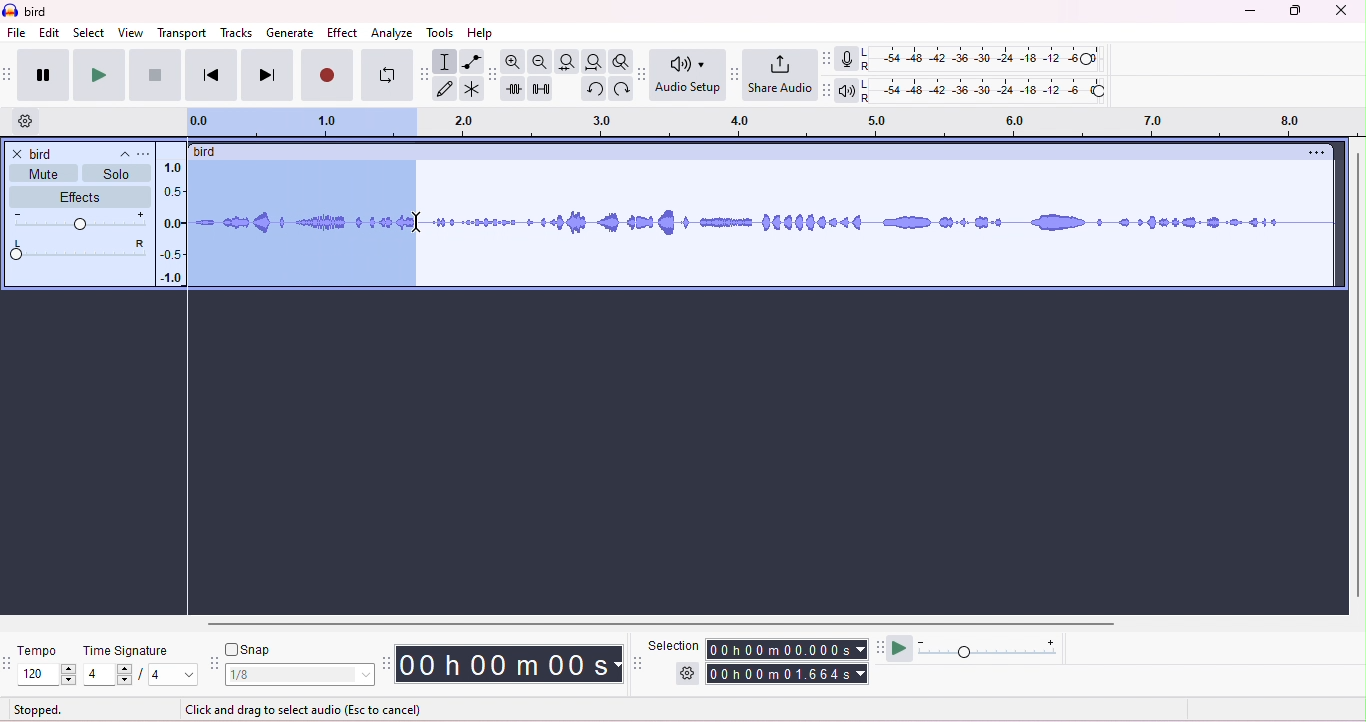 The image size is (1366, 722). What do you see at coordinates (784, 674) in the screenshot?
I see `00h 00m01.656s (end time) ` at bounding box center [784, 674].